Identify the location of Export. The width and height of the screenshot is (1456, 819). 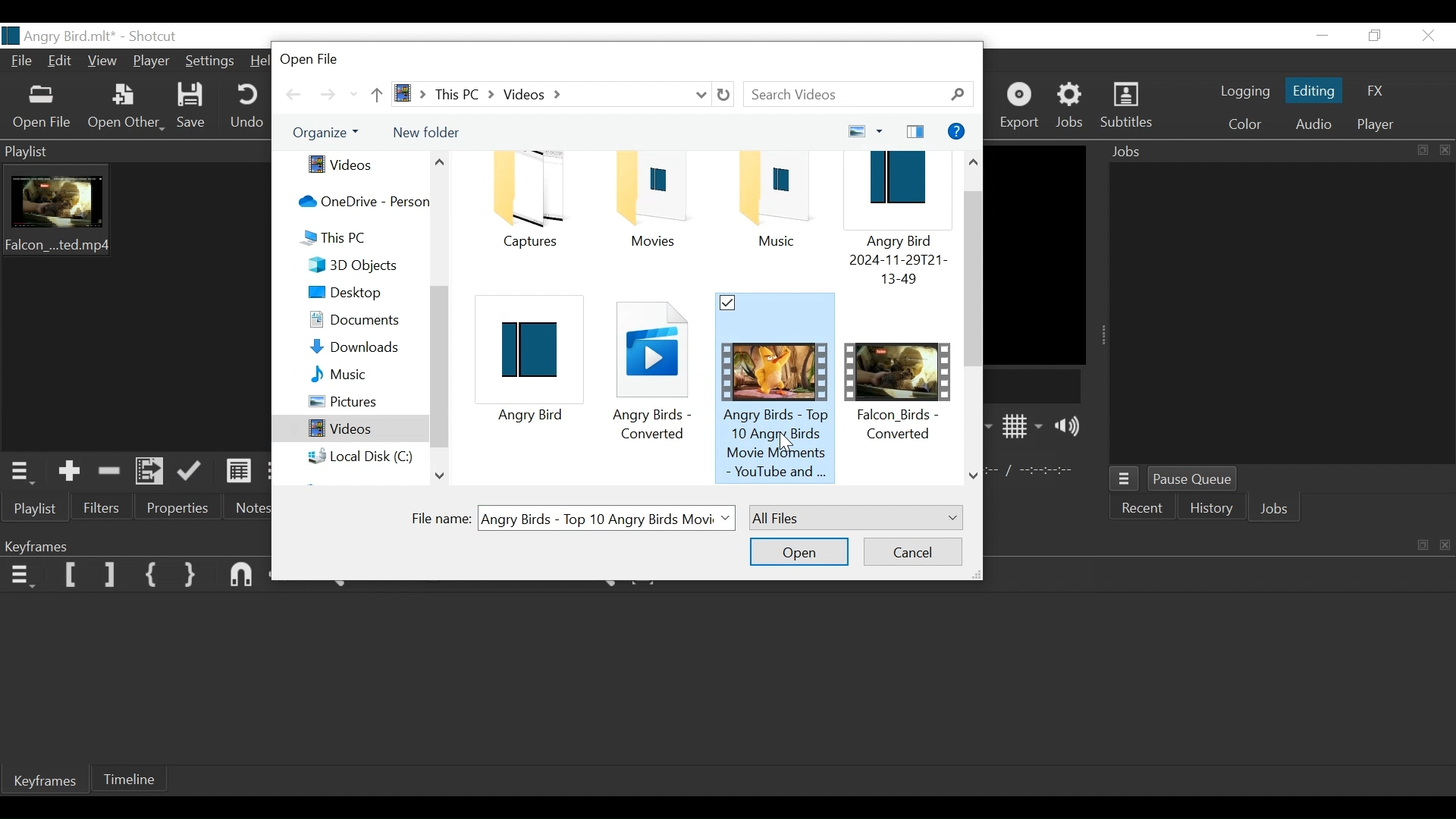
(1025, 107).